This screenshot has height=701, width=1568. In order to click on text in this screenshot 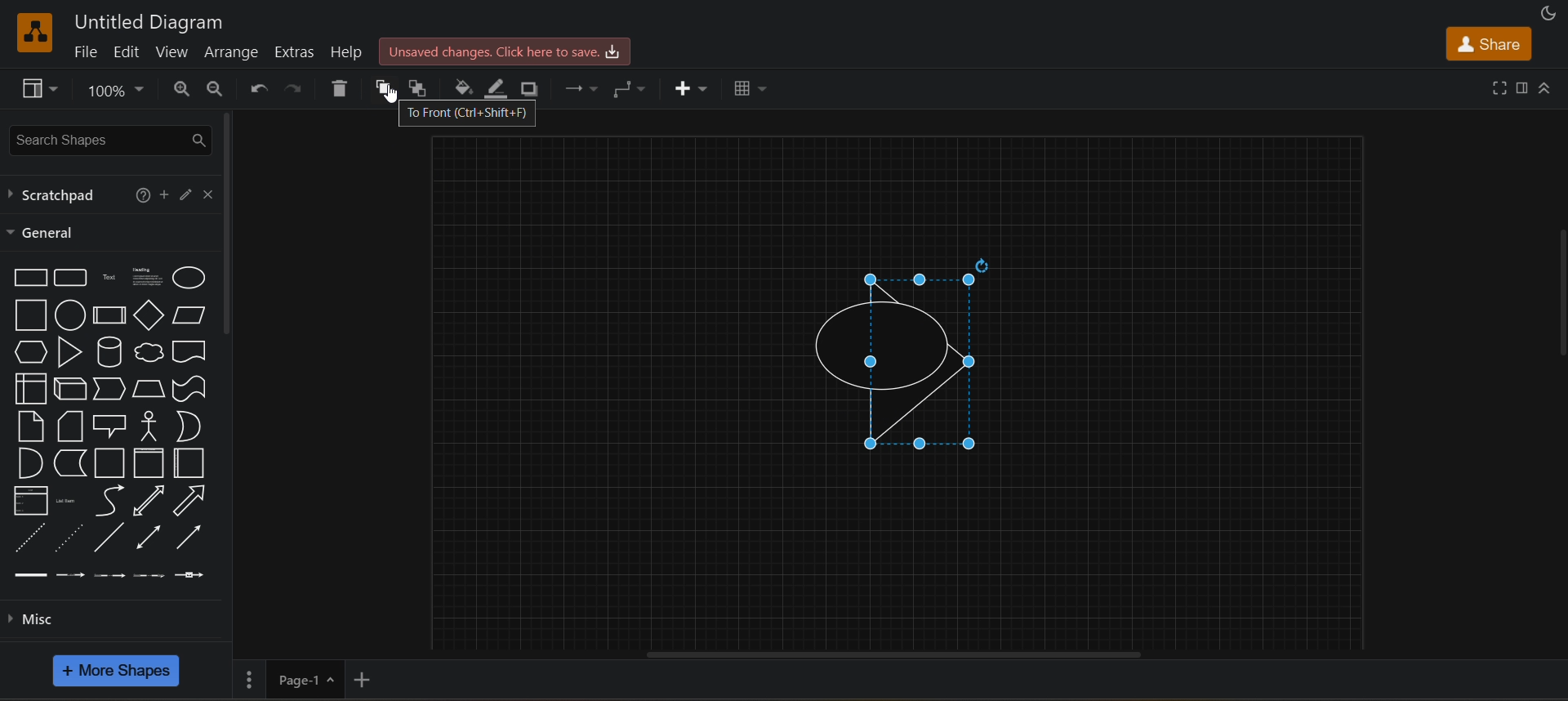, I will do `click(108, 278)`.